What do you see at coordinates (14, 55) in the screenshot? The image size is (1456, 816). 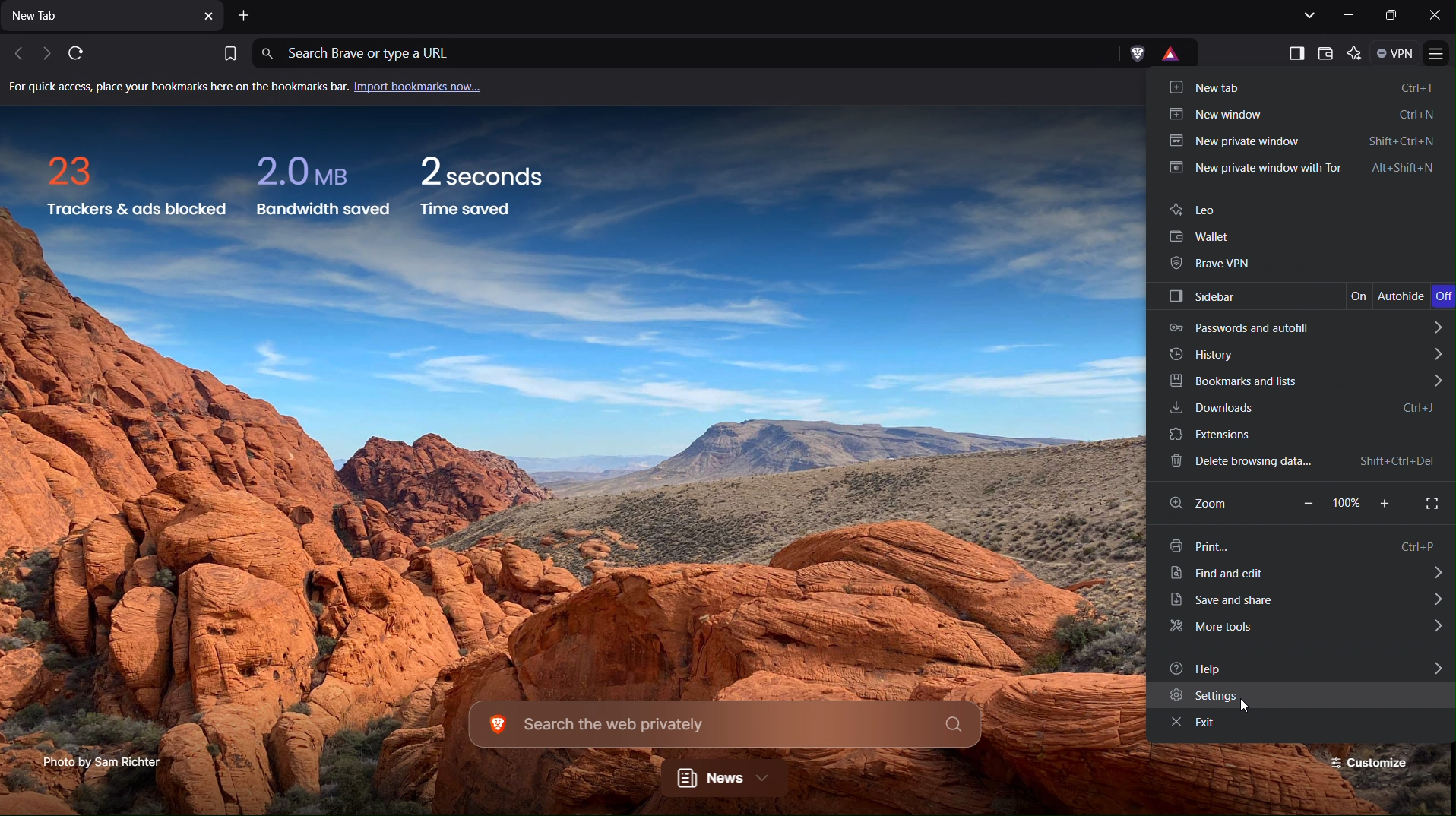 I see `Previous Tab` at bounding box center [14, 55].